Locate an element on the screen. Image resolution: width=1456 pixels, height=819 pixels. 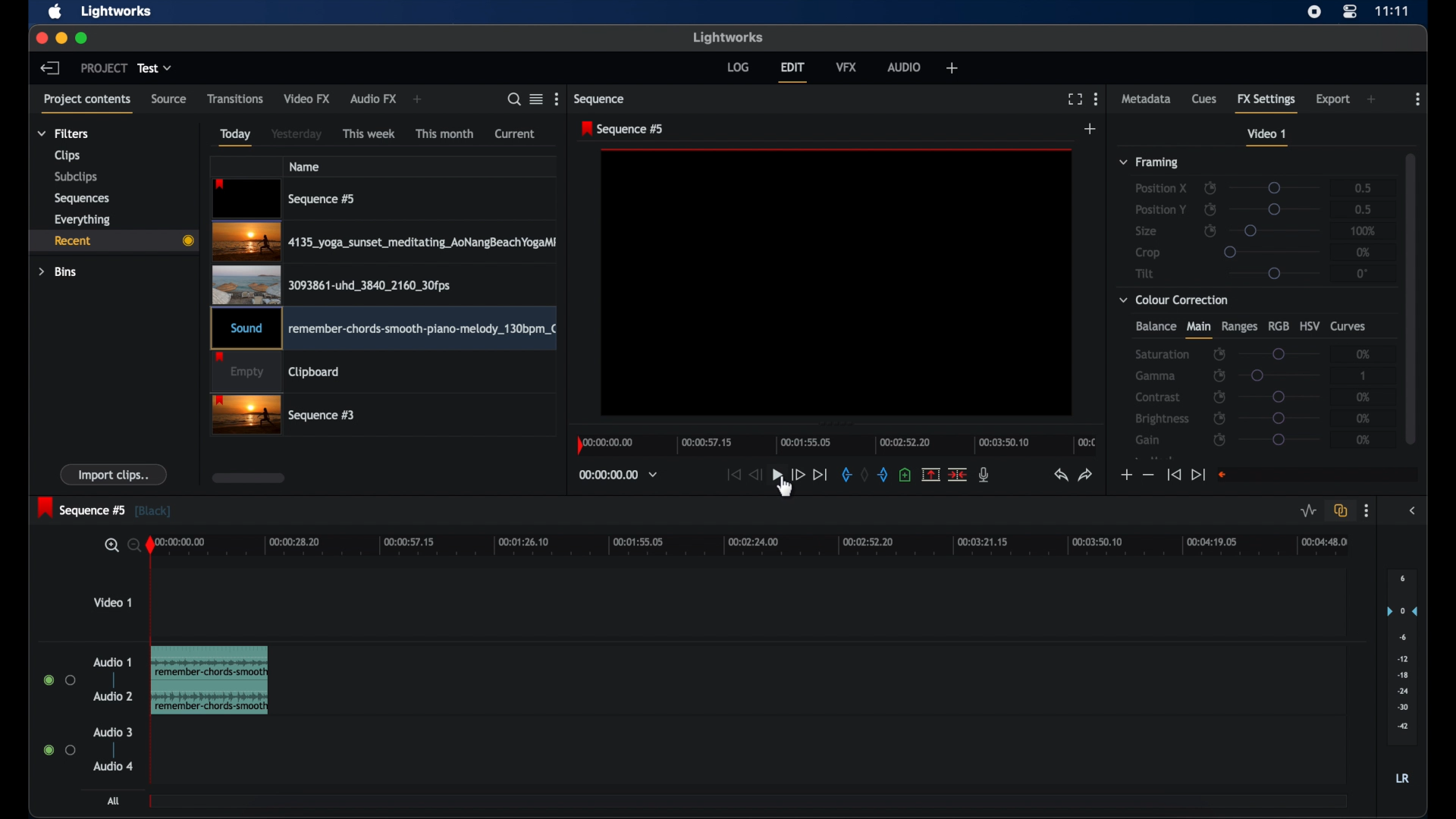
all is located at coordinates (114, 800).